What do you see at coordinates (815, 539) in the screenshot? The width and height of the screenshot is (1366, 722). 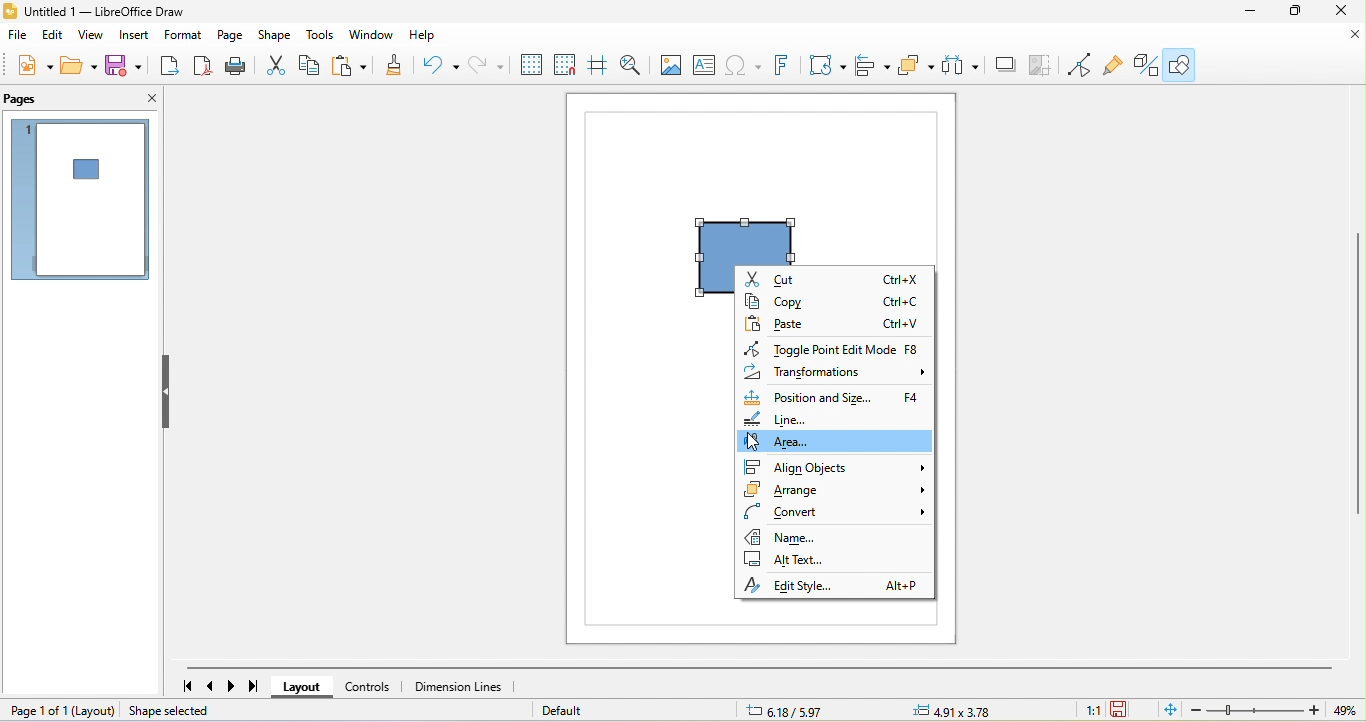 I see `name` at bounding box center [815, 539].